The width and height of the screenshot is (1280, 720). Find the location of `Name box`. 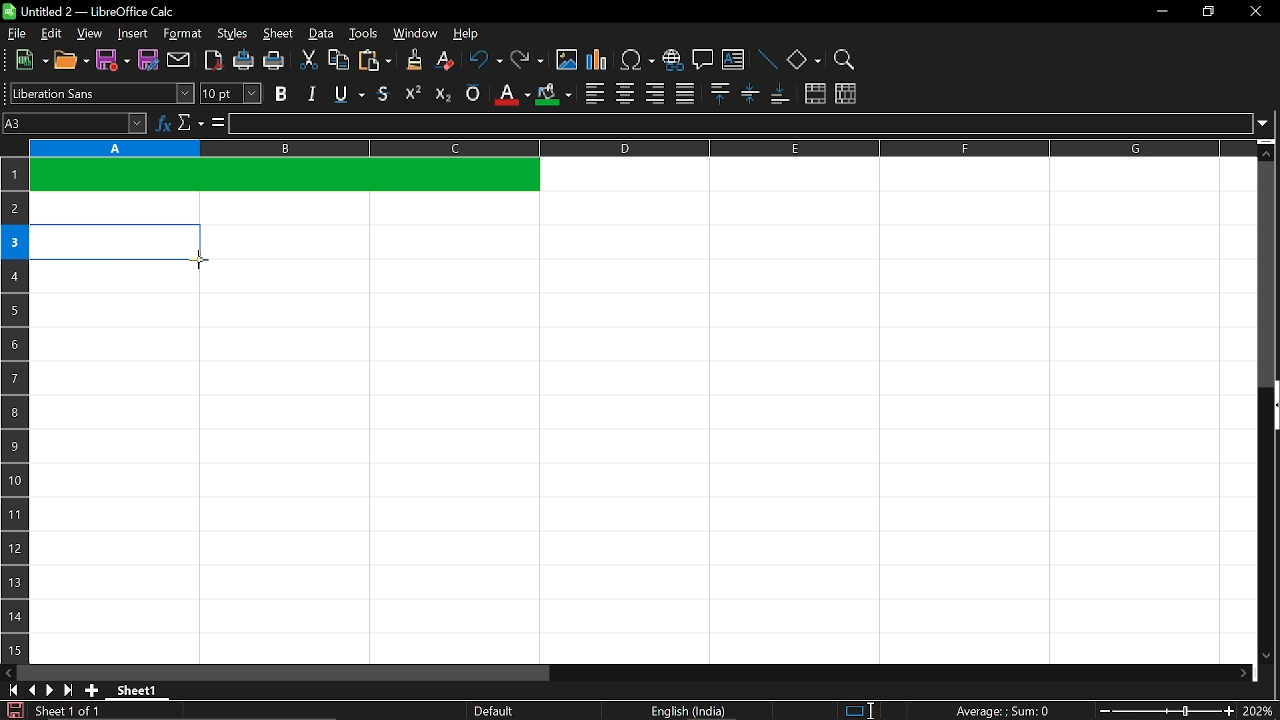

Name box is located at coordinates (75, 124).